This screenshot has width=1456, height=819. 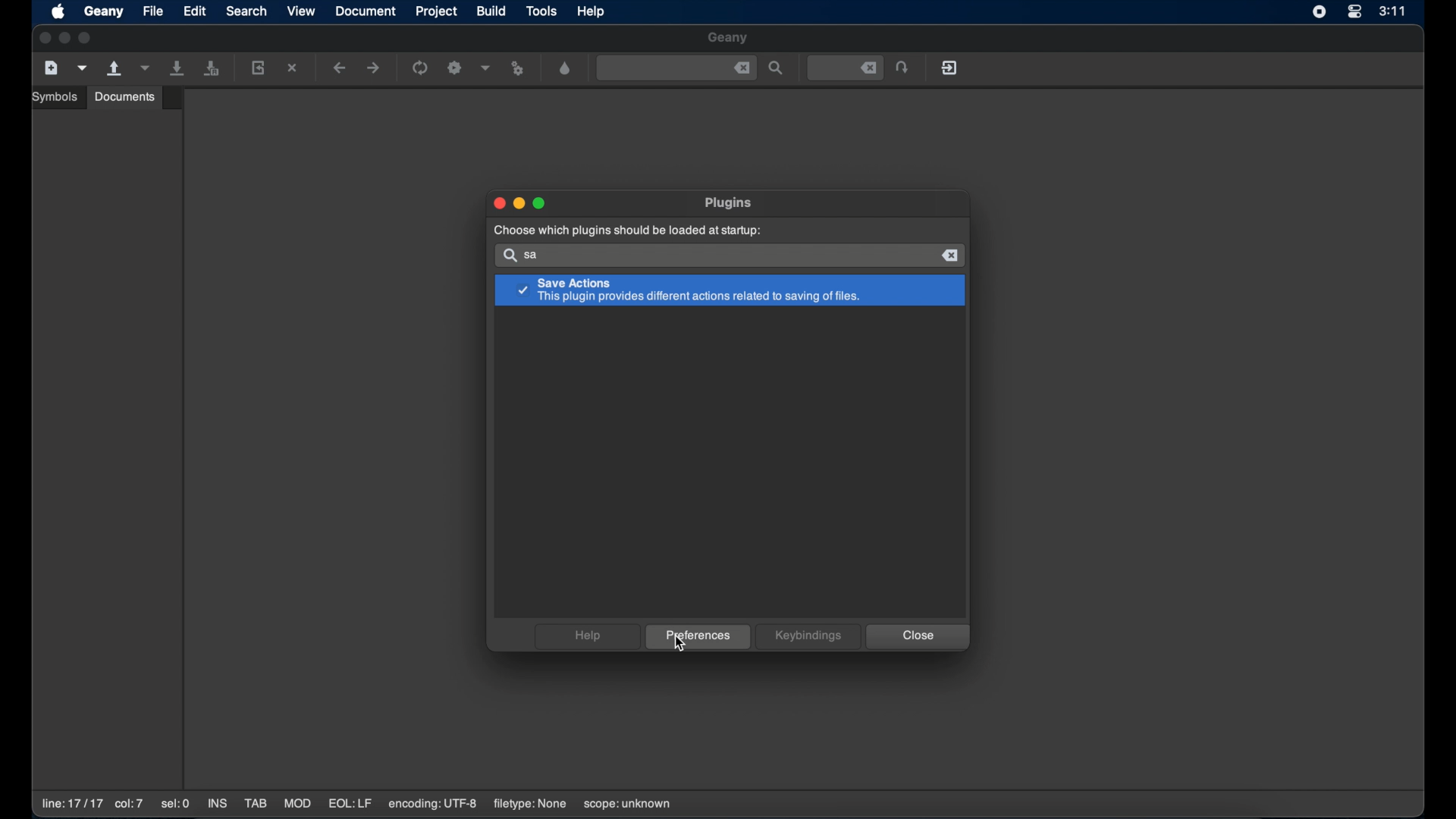 I want to click on preferences, so click(x=698, y=637).